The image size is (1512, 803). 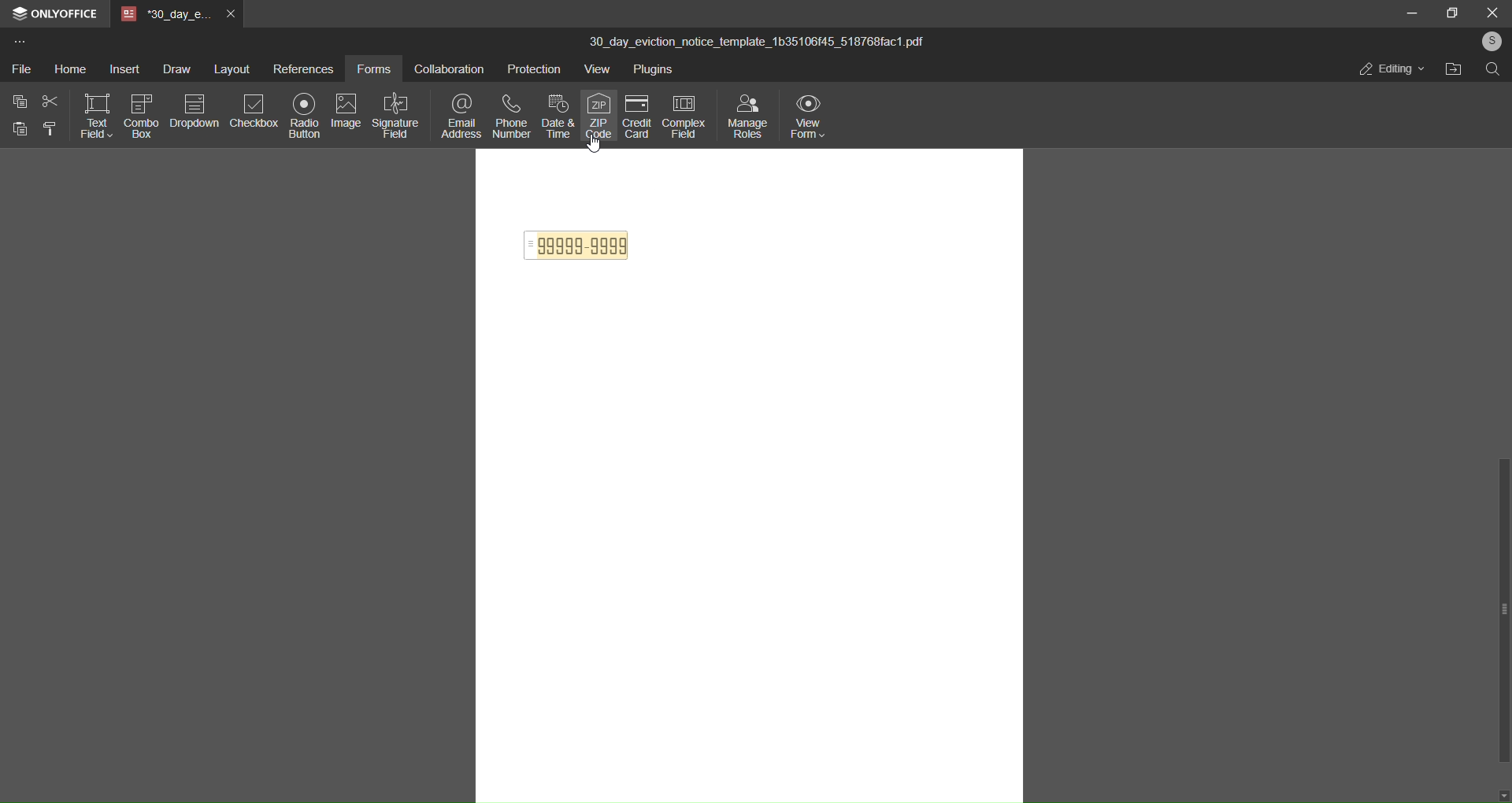 I want to click on logo, so click(x=18, y=13).